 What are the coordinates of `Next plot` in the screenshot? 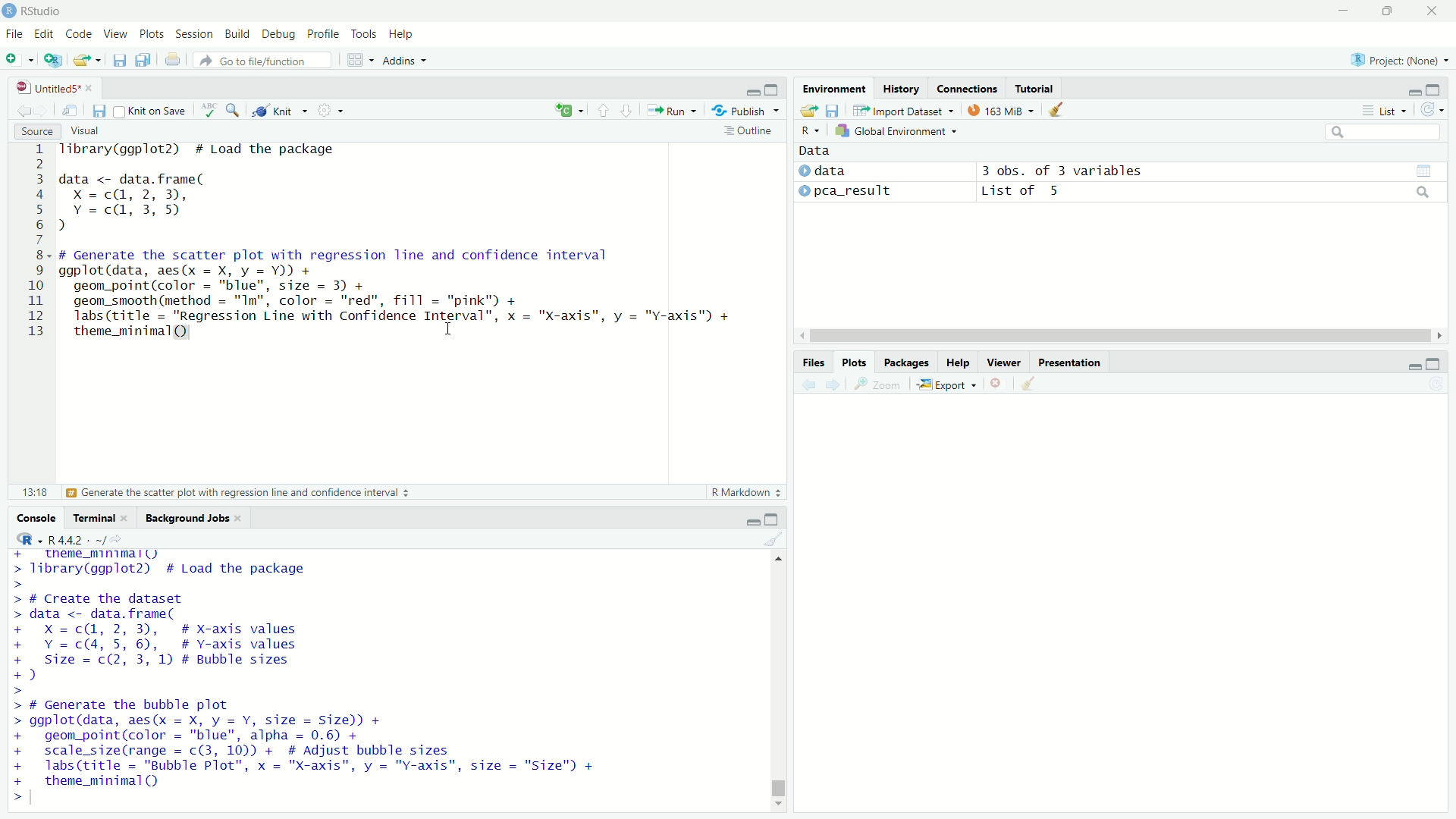 It's located at (833, 384).